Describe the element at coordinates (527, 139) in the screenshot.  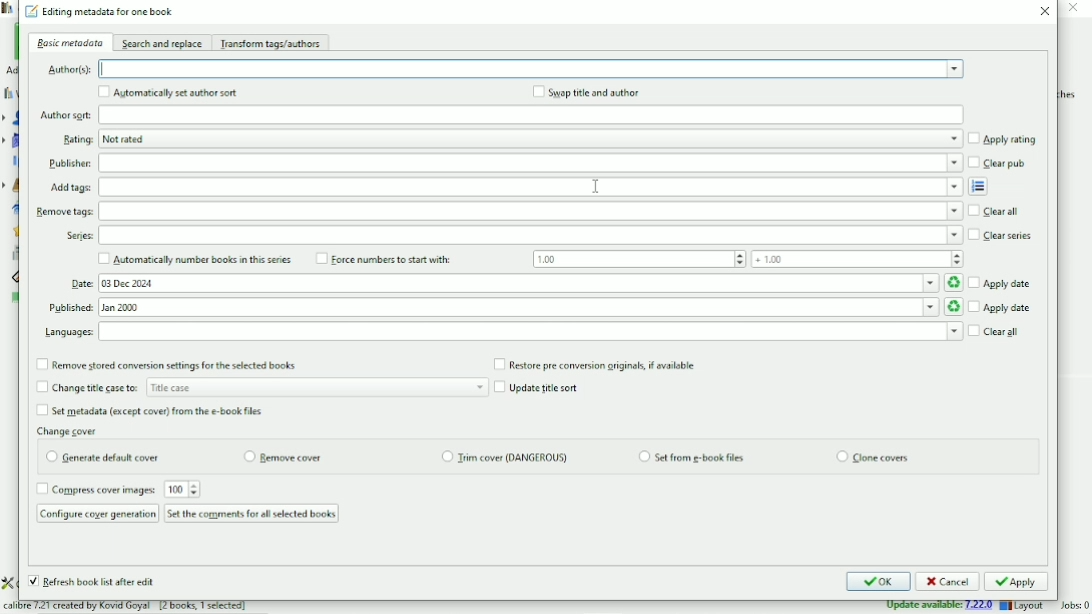
I see `Rating options` at that location.